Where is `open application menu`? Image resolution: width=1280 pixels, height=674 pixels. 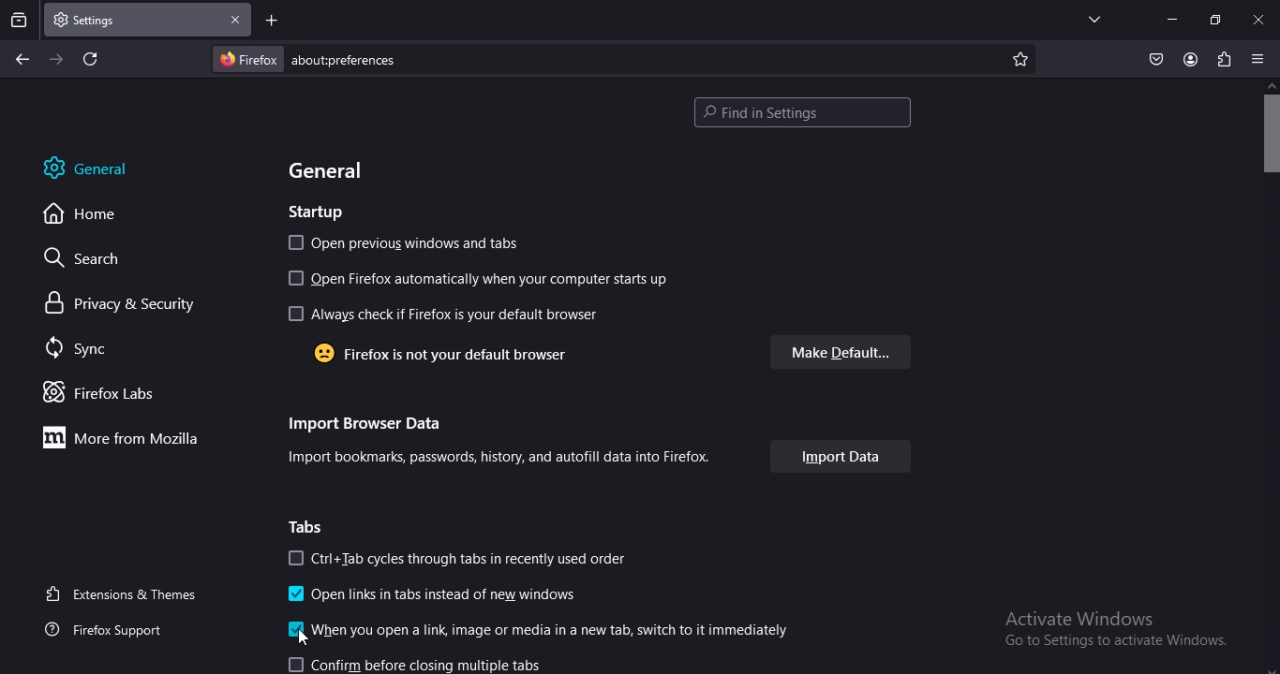
open application menu is located at coordinates (1258, 57).